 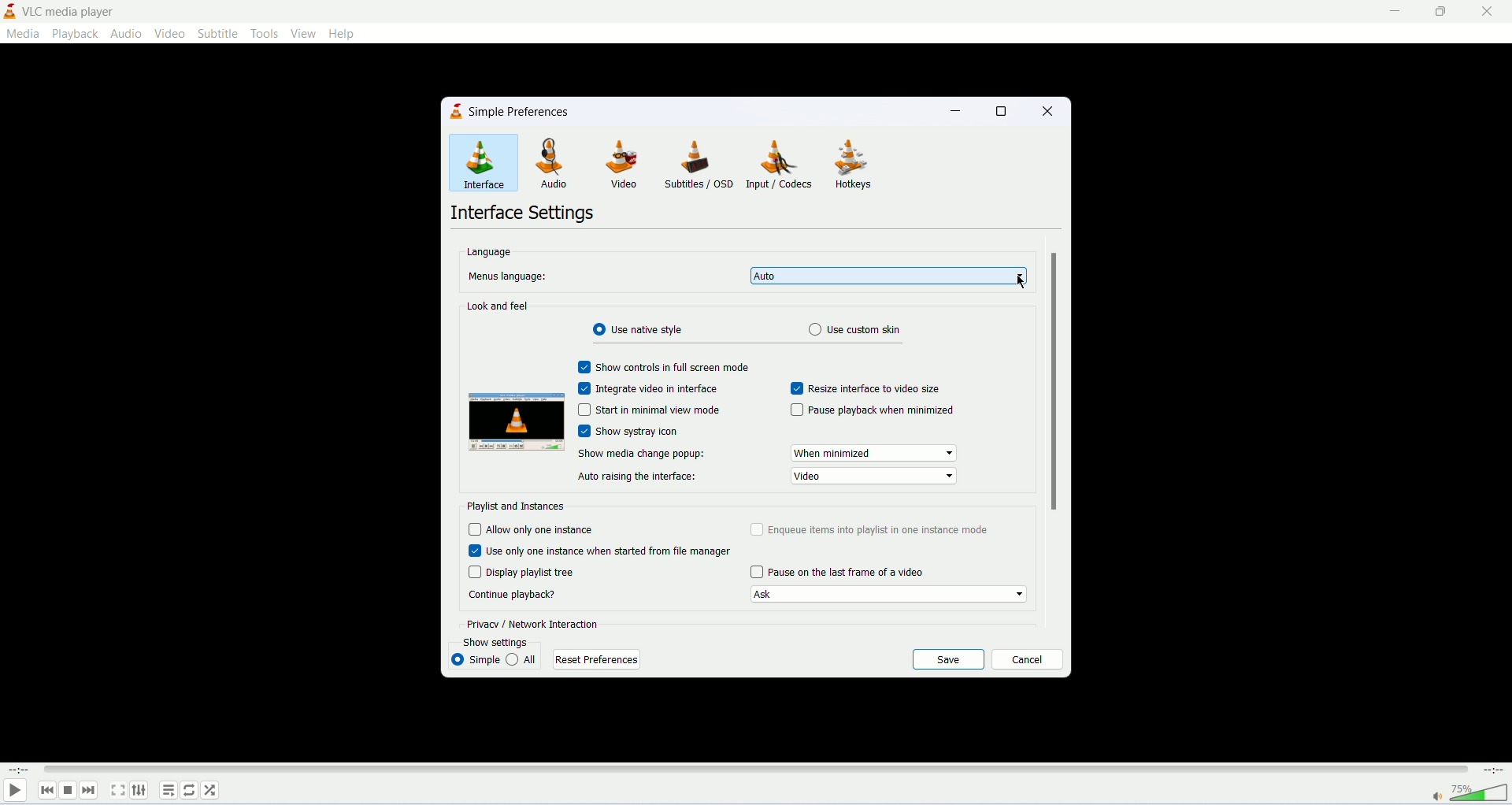 What do you see at coordinates (68, 791) in the screenshot?
I see `stop` at bounding box center [68, 791].